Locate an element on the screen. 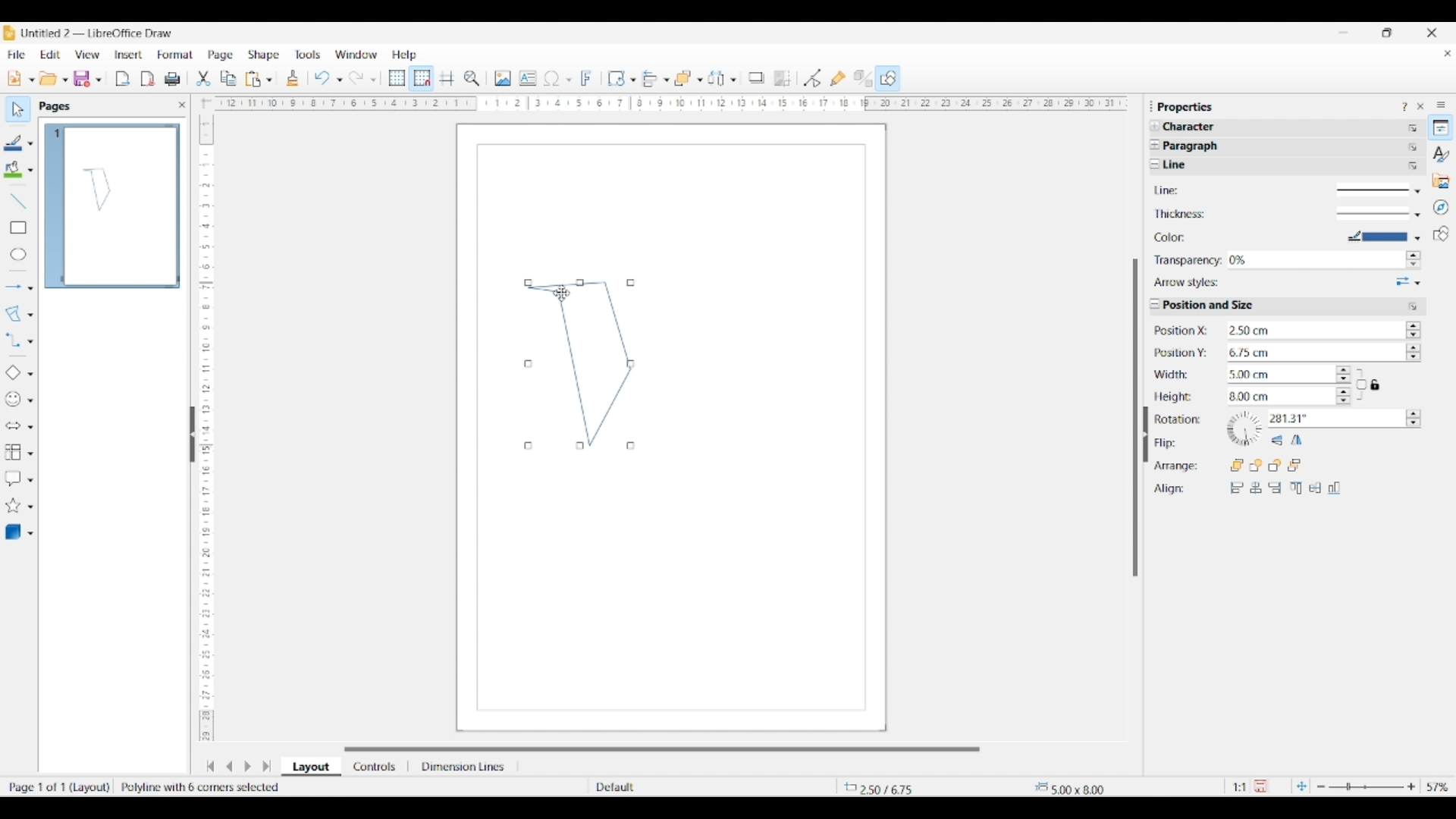 Image resolution: width=1456 pixels, height=819 pixels. Float properties panel is located at coordinates (1151, 106).